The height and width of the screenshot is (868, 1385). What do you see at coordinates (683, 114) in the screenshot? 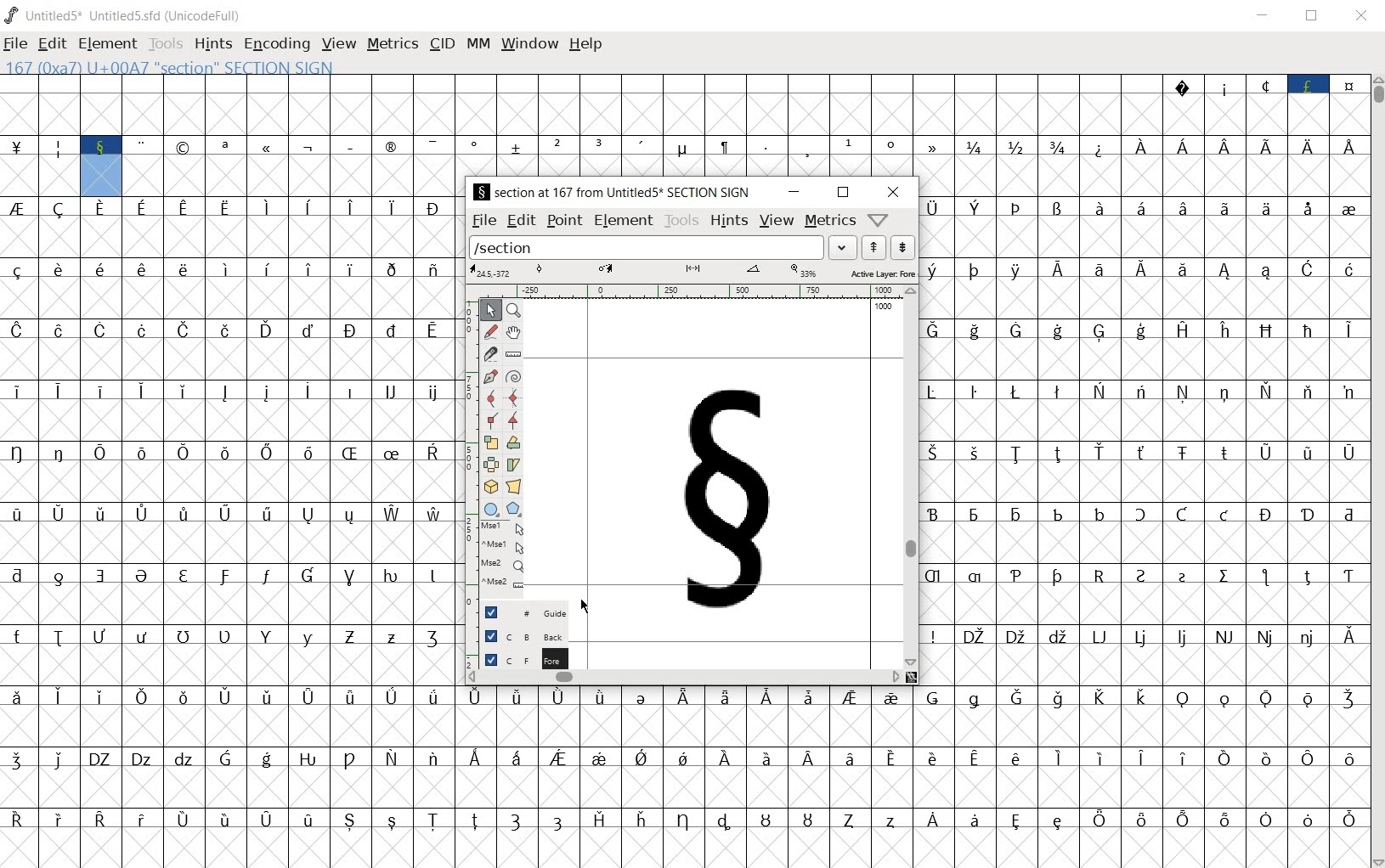
I see `empty cells` at bounding box center [683, 114].